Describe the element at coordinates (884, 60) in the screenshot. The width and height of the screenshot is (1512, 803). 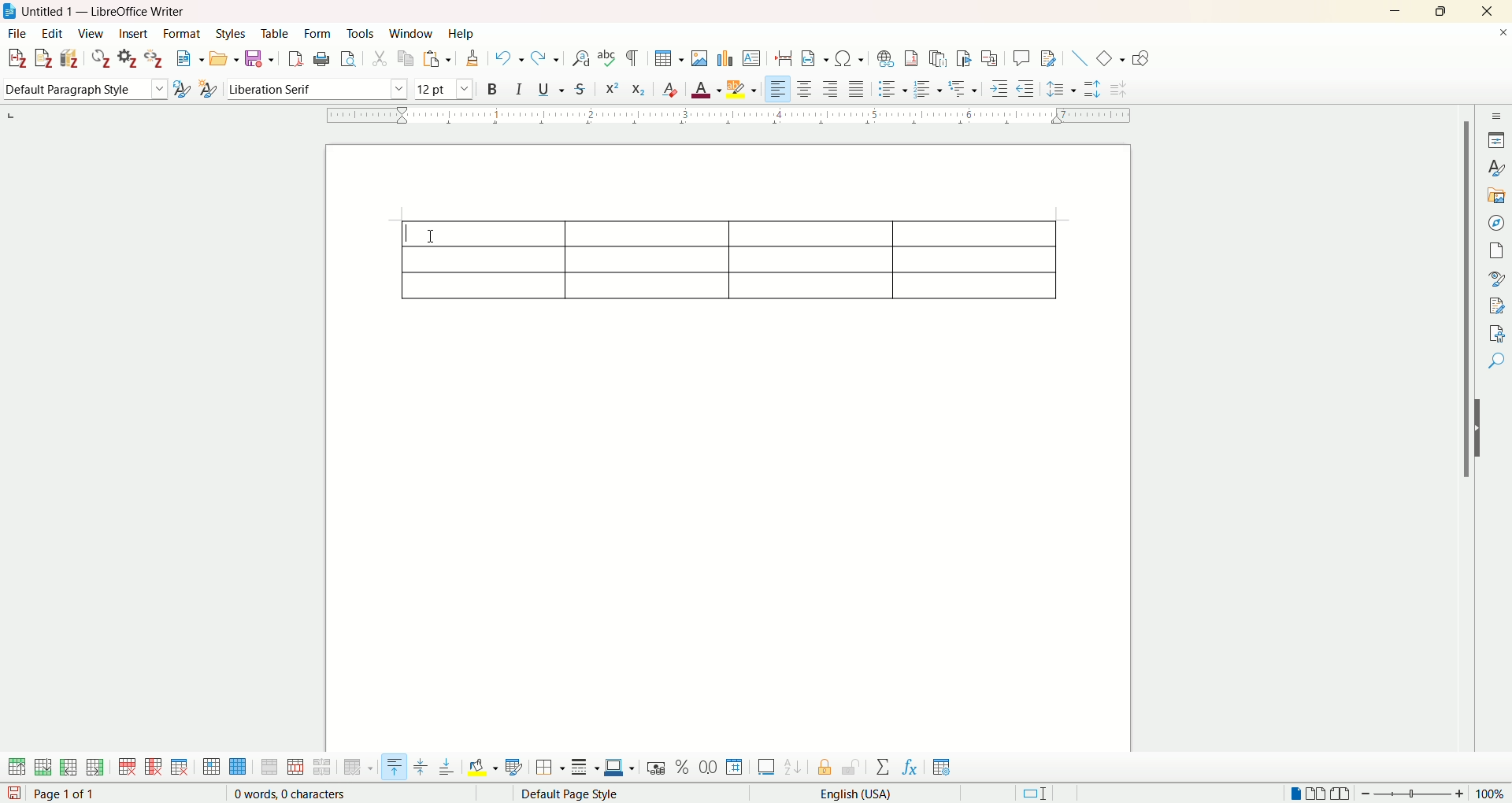
I see `insert hyperlink` at that location.